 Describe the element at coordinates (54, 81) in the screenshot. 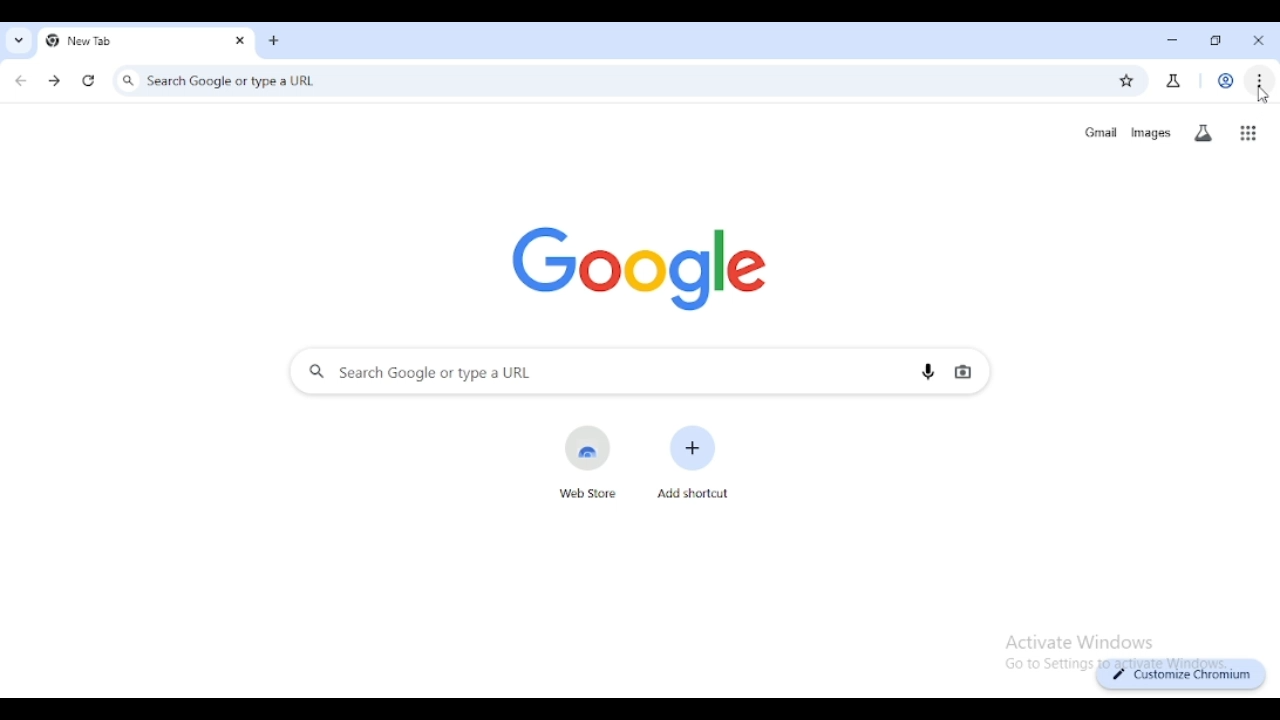

I see `click to go forward` at that location.